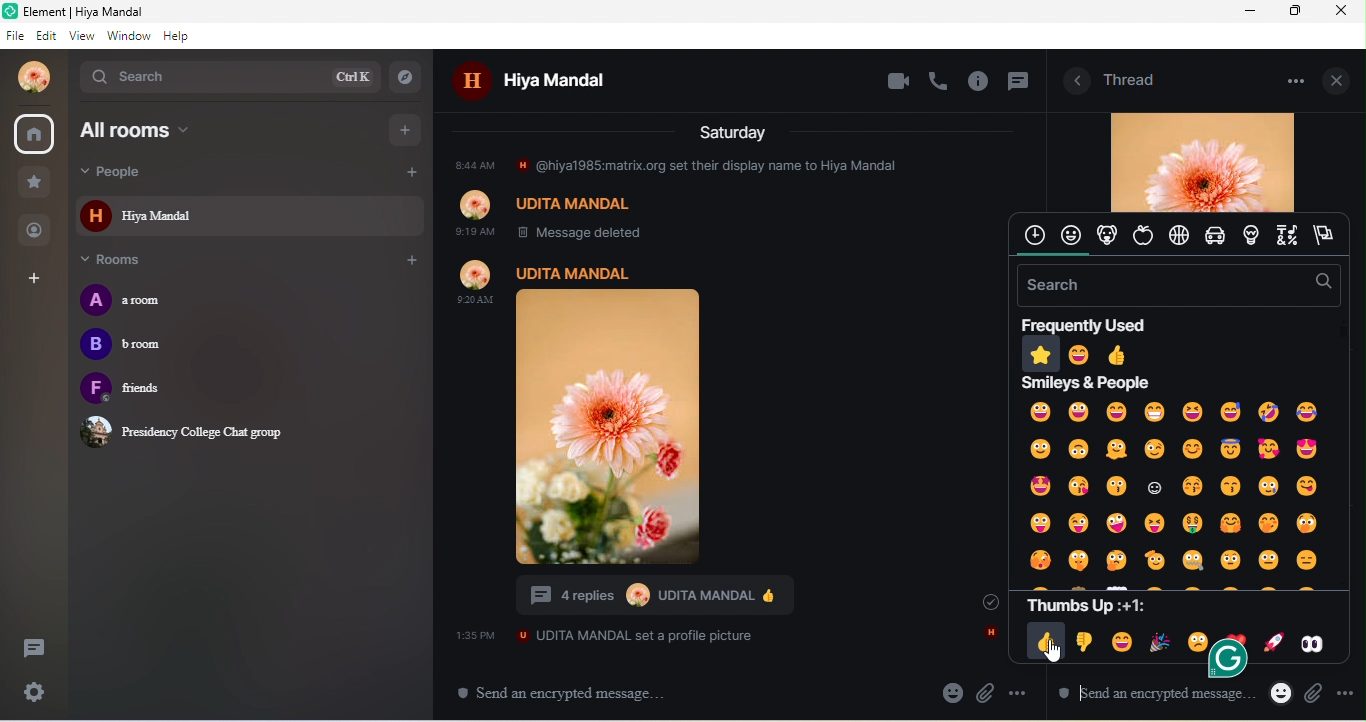 The image size is (1366, 722). What do you see at coordinates (1020, 693) in the screenshot?
I see `more option` at bounding box center [1020, 693].